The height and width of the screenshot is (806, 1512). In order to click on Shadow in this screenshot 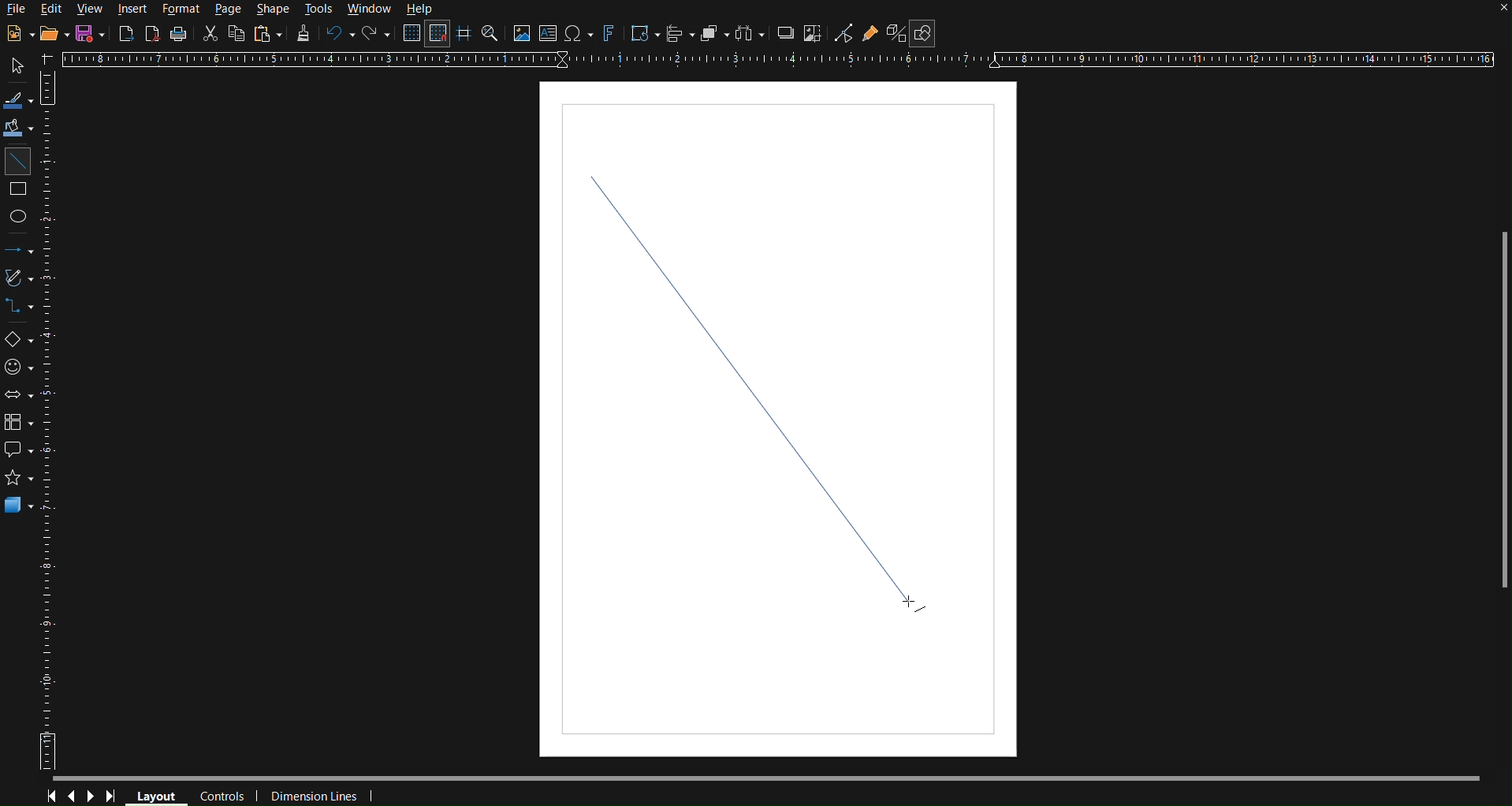, I will do `click(785, 32)`.